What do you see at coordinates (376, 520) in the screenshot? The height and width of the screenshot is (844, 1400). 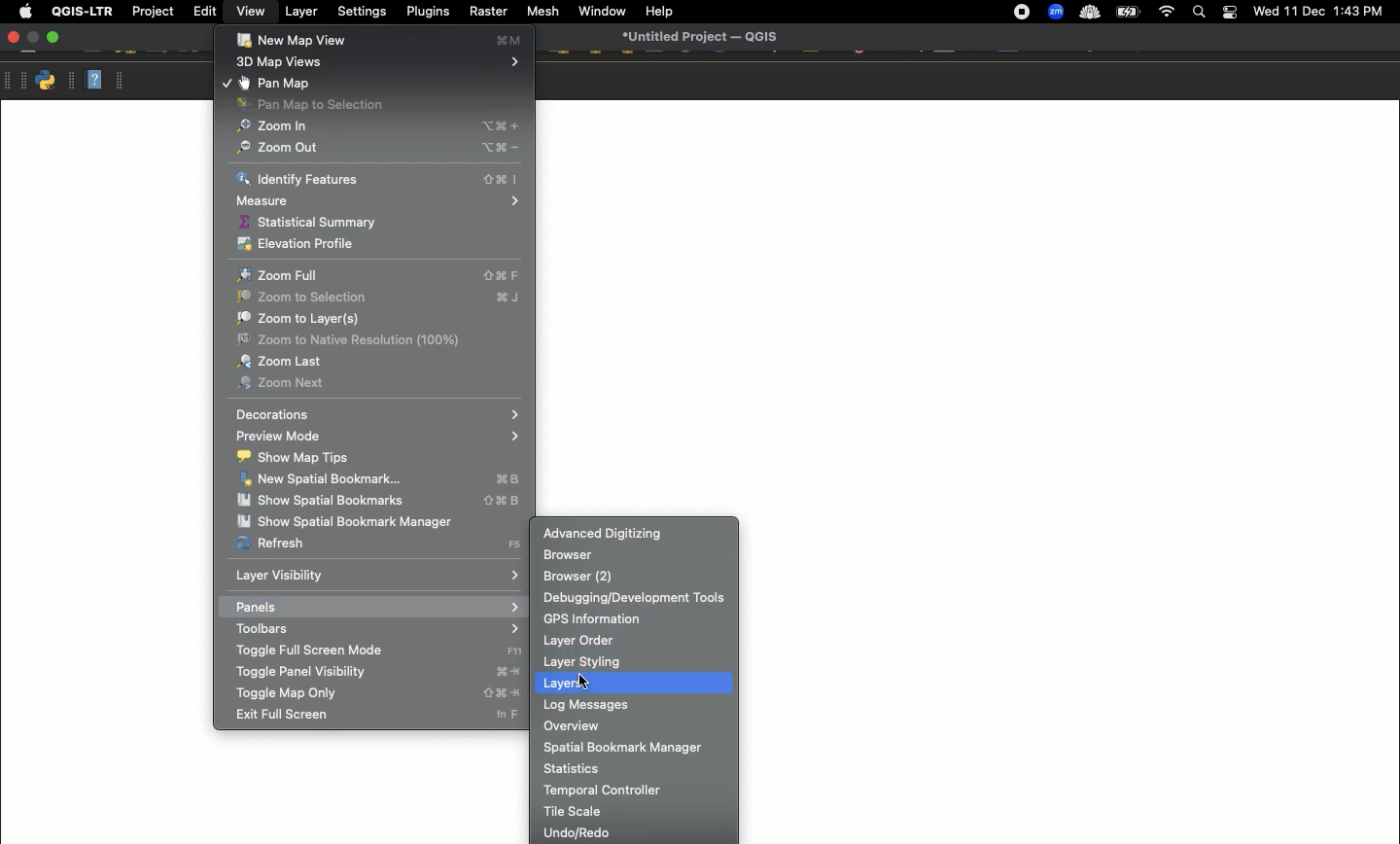 I see `Show spatial bookmark manager ` at bounding box center [376, 520].